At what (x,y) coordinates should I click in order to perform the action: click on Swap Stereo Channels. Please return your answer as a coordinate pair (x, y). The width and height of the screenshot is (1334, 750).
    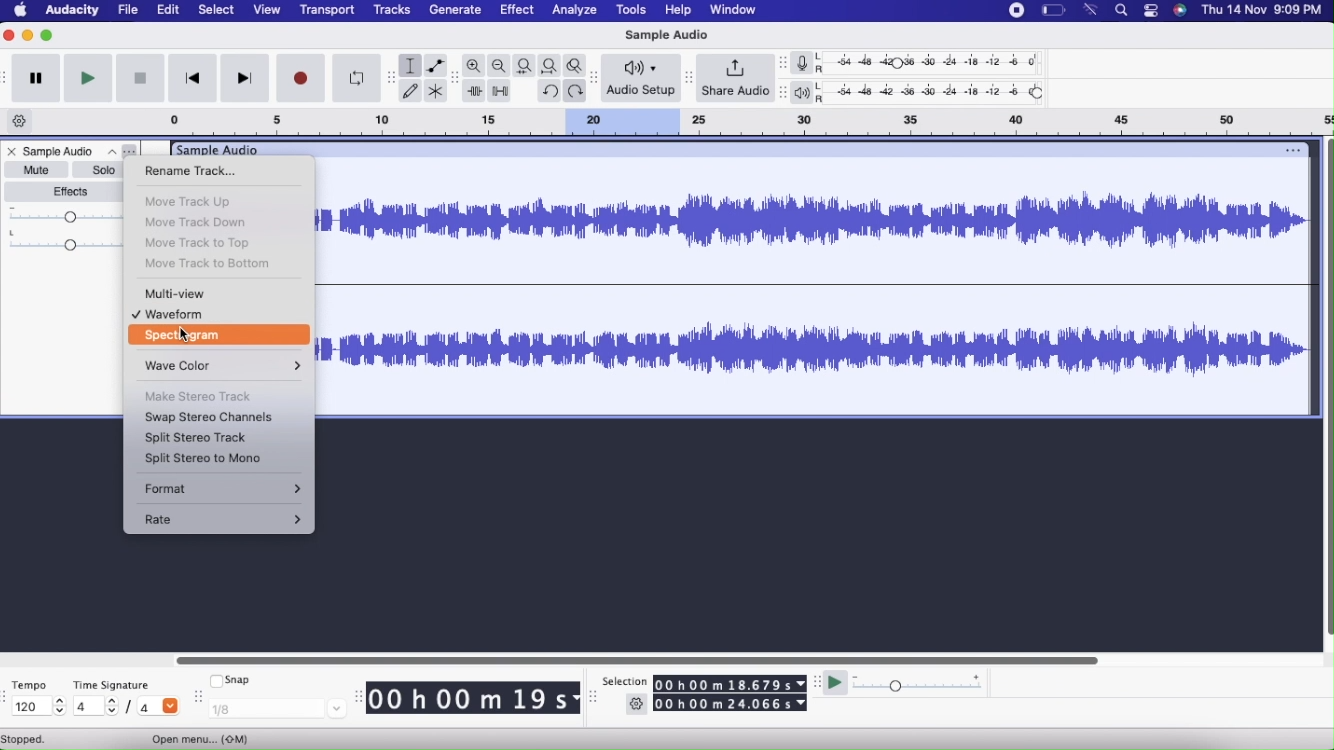
    Looking at the image, I should click on (210, 418).